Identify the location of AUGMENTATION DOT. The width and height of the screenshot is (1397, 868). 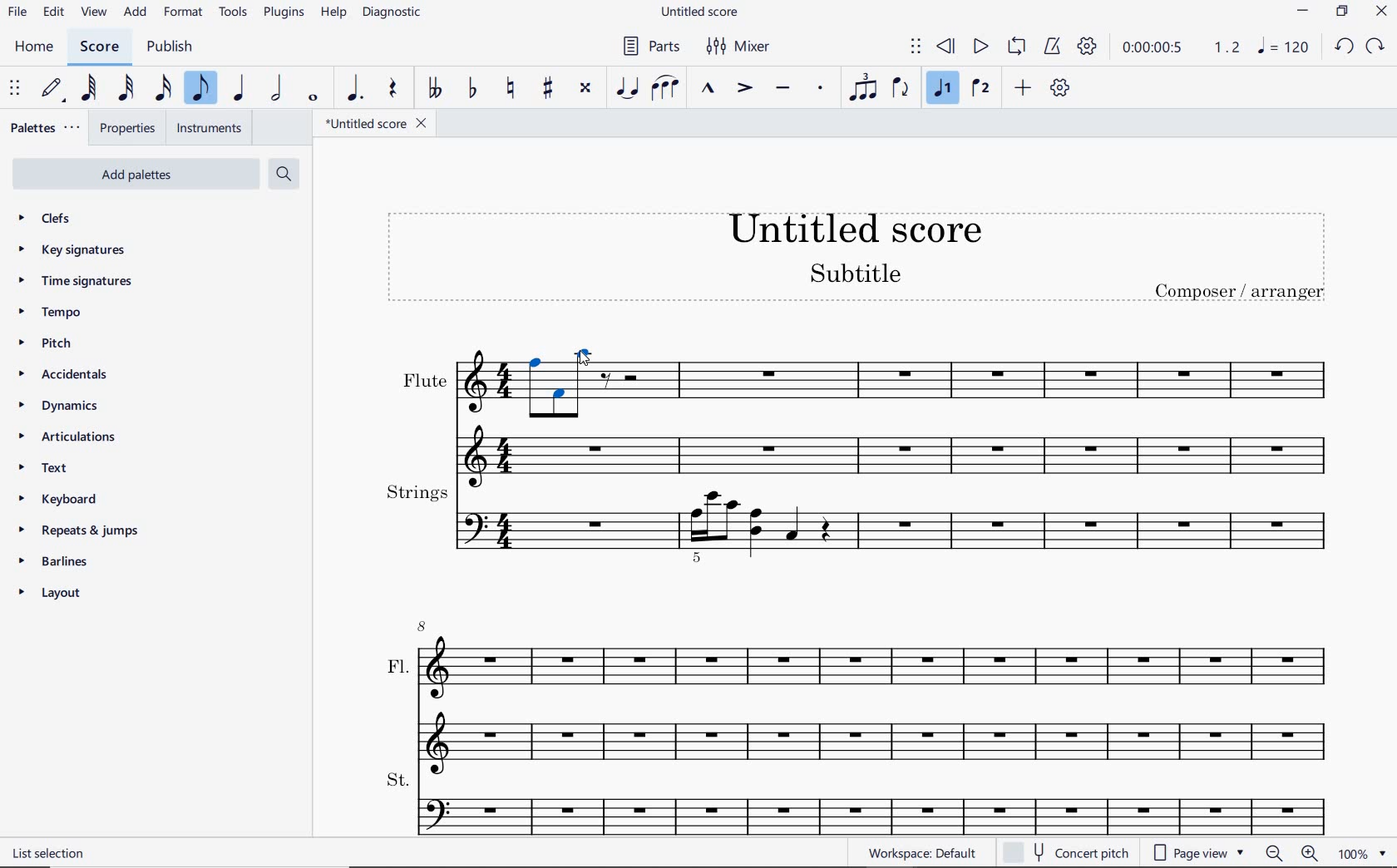
(355, 89).